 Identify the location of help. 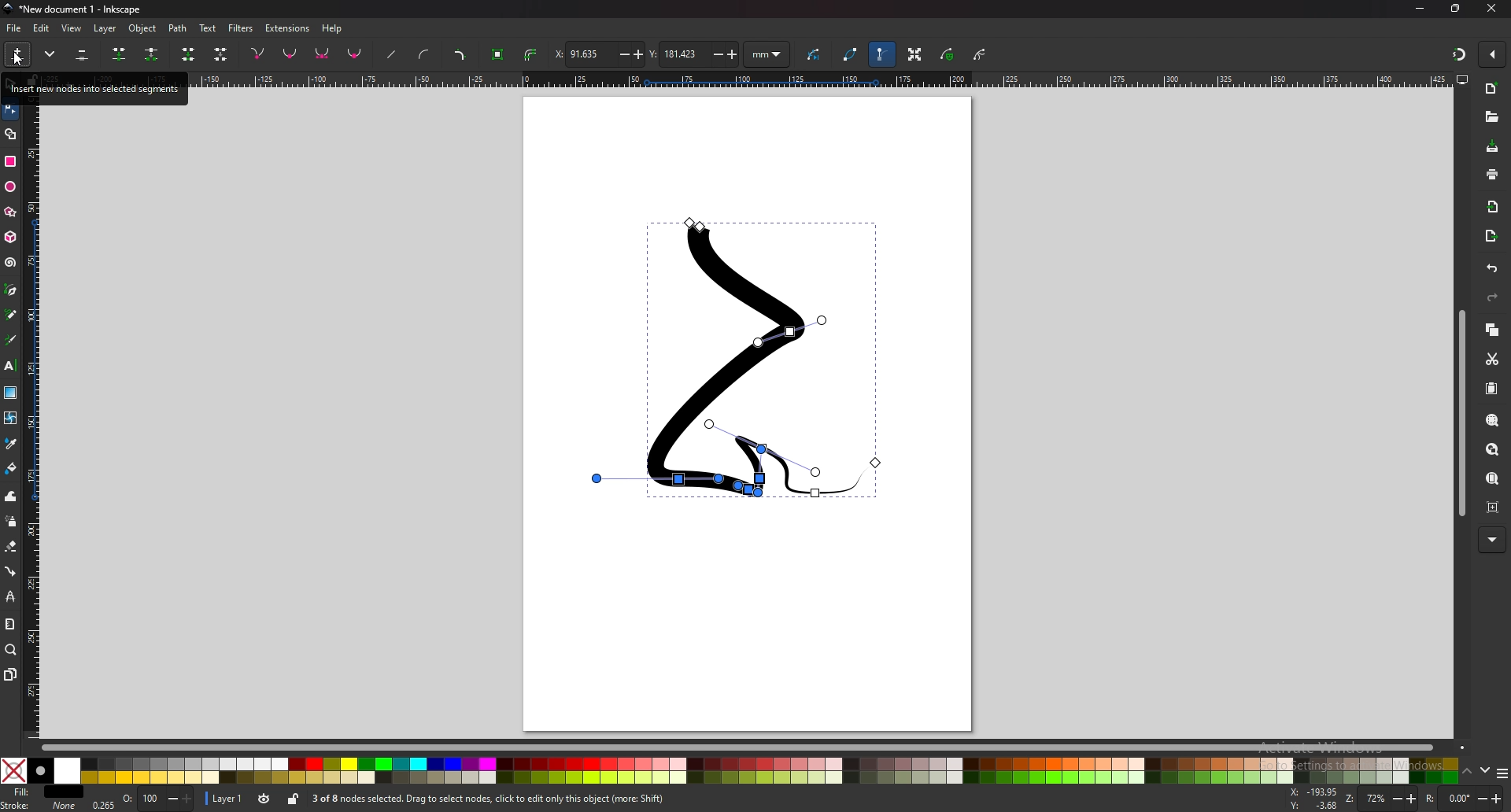
(335, 28).